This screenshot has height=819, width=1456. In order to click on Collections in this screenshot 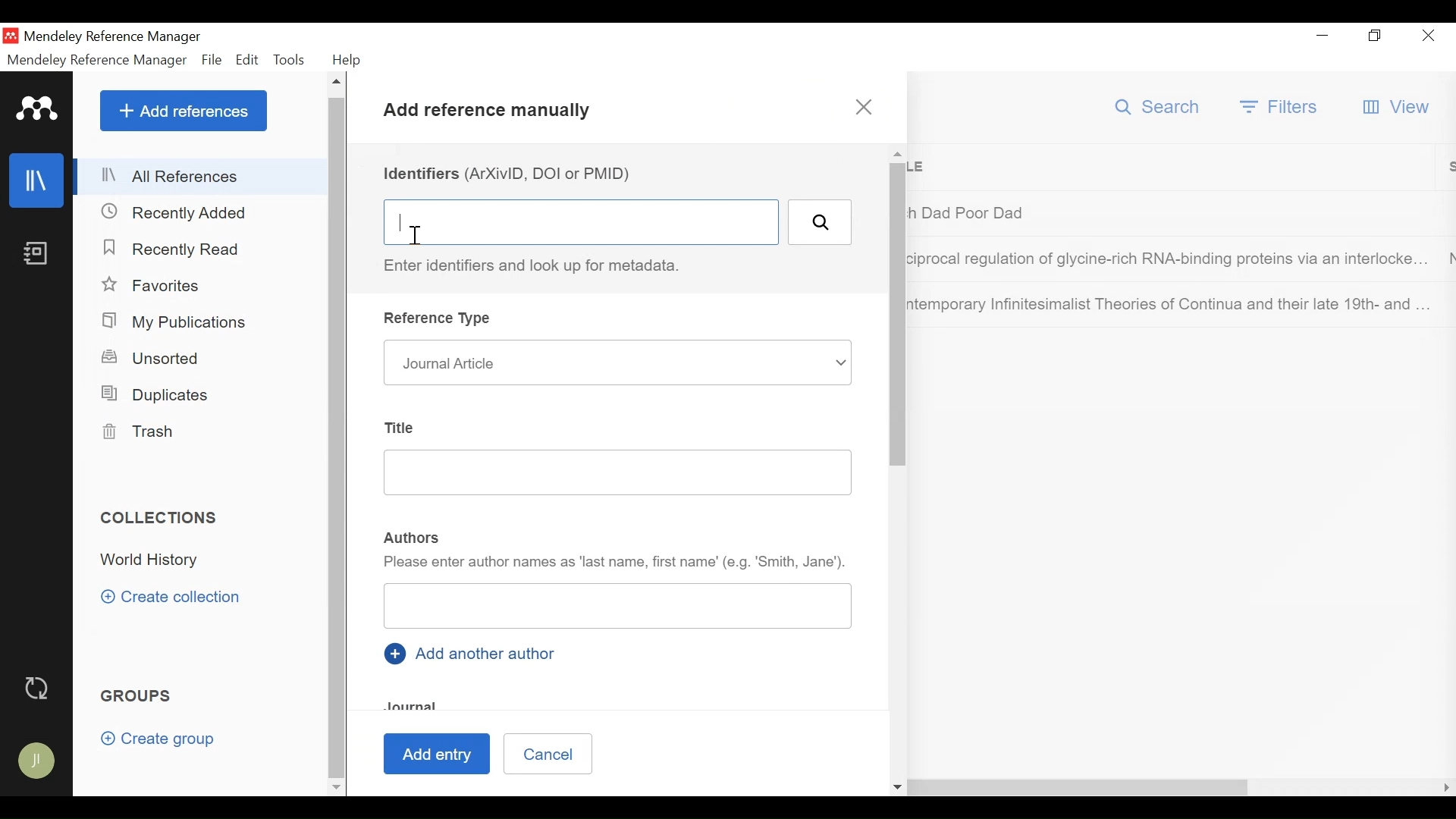, I will do `click(161, 518)`.